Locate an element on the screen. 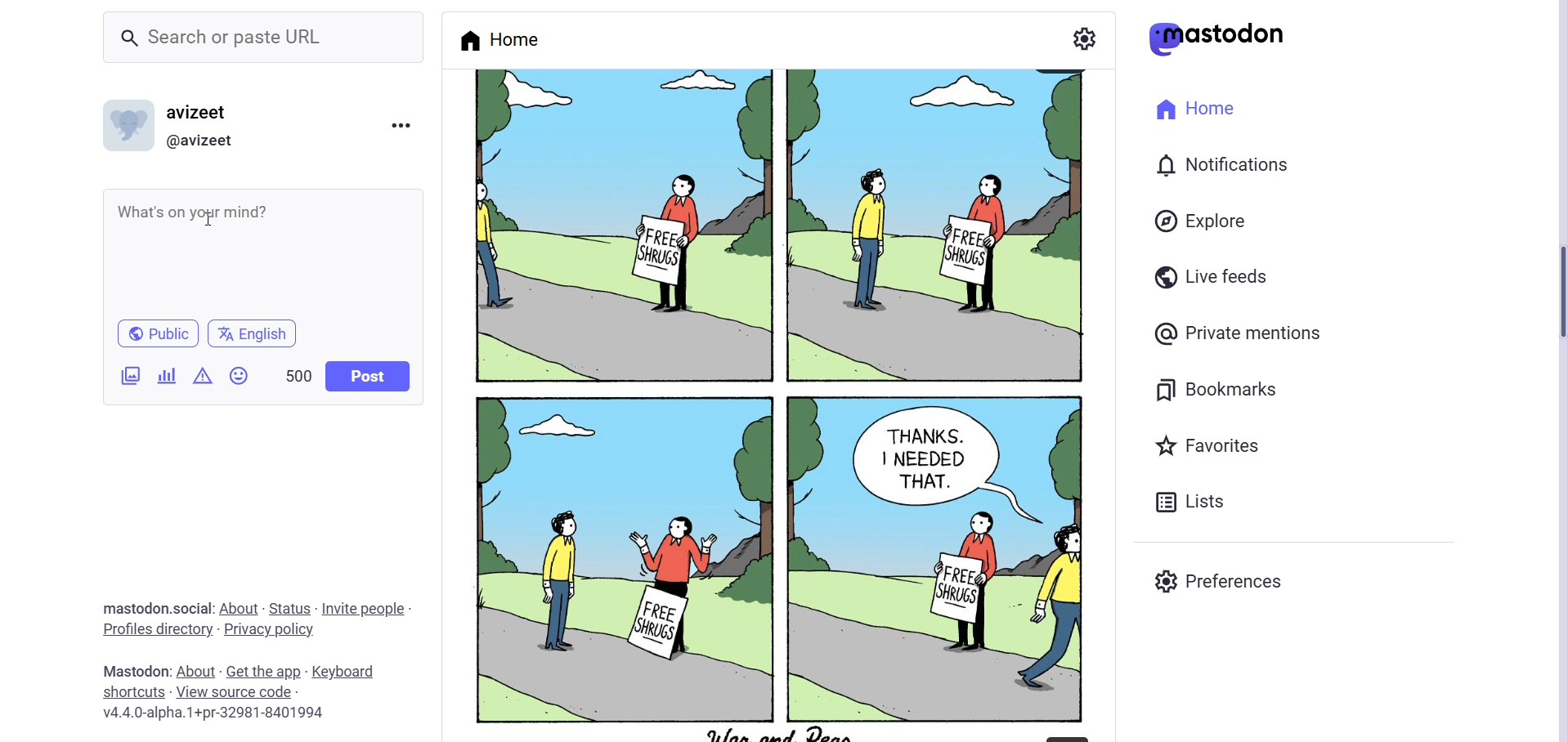 This screenshot has height=742, width=1568. Favorites is located at coordinates (1212, 444).